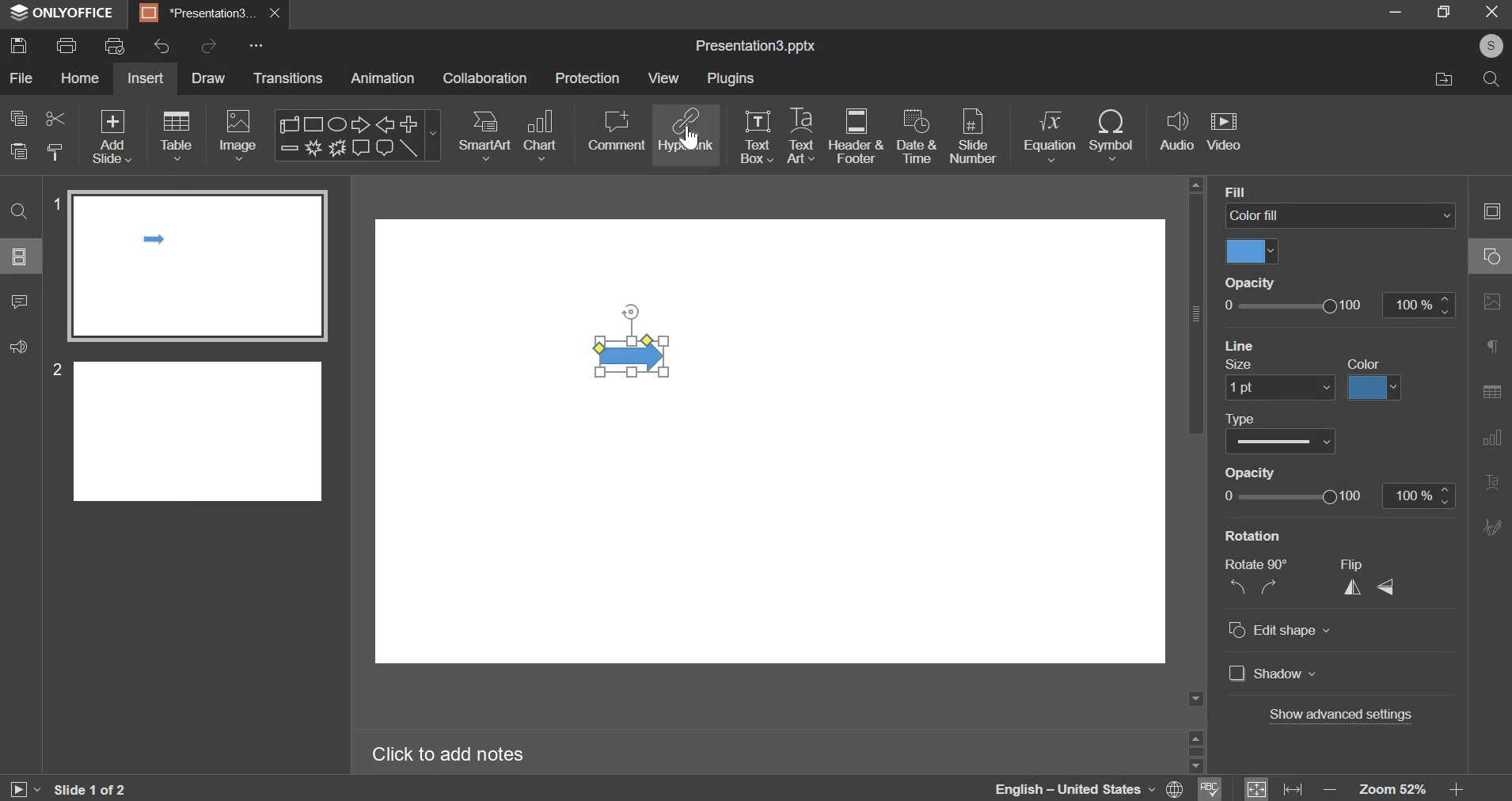 The width and height of the screenshot is (1512, 801). I want to click on save, so click(19, 44).